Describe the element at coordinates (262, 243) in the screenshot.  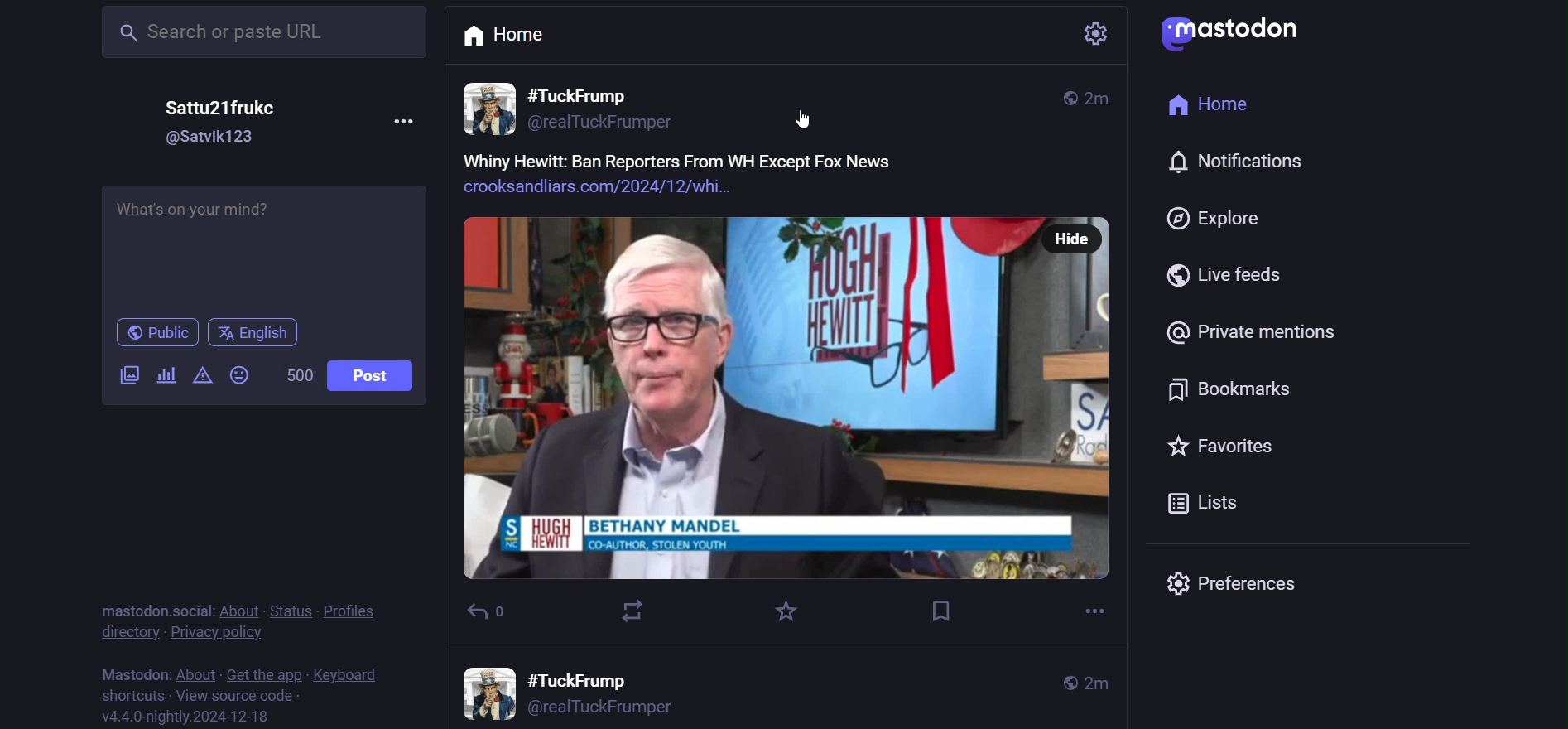
I see `post here` at that location.